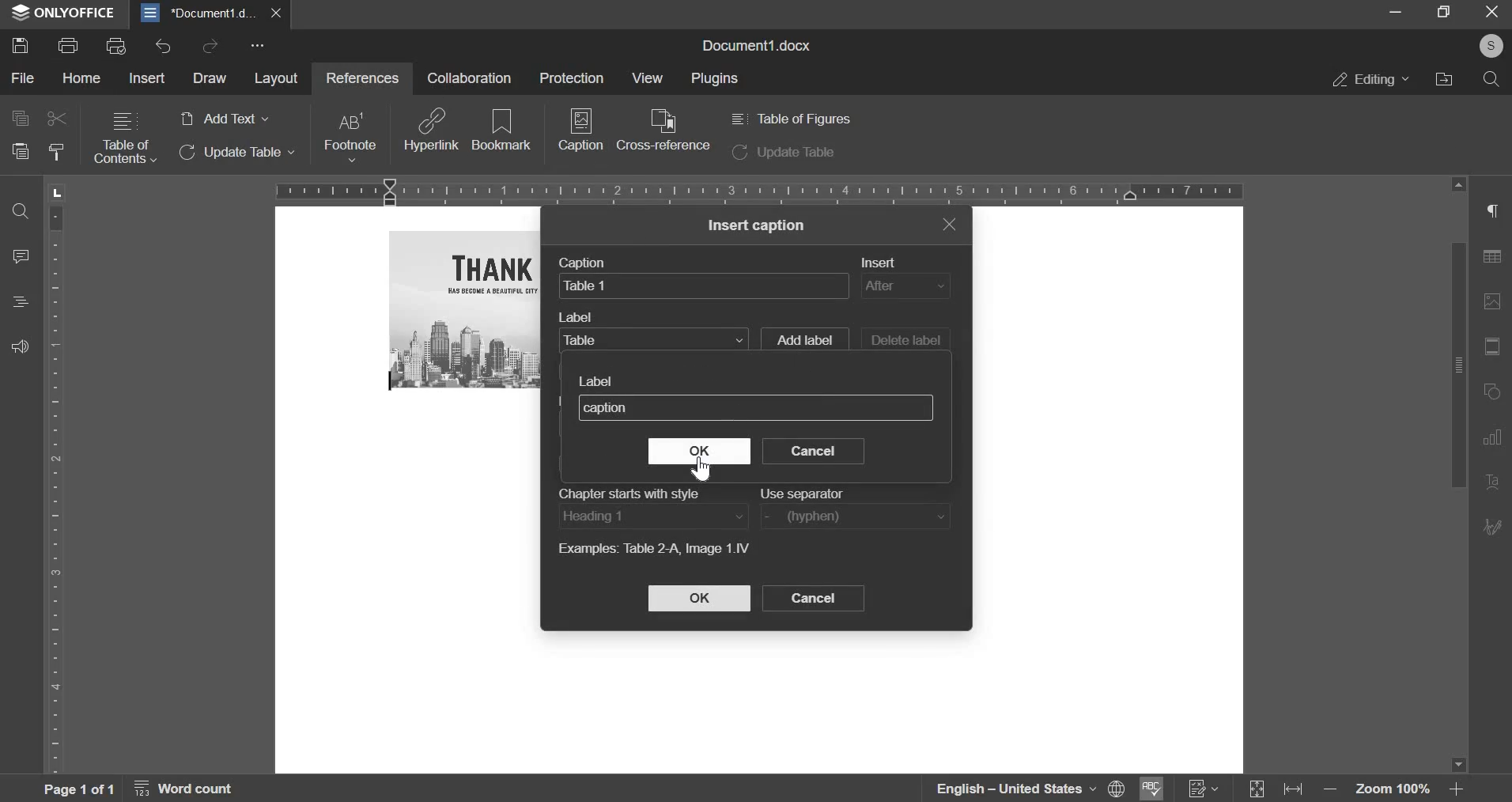  What do you see at coordinates (349, 137) in the screenshot?
I see `footnote` at bounding box center [349, 137].